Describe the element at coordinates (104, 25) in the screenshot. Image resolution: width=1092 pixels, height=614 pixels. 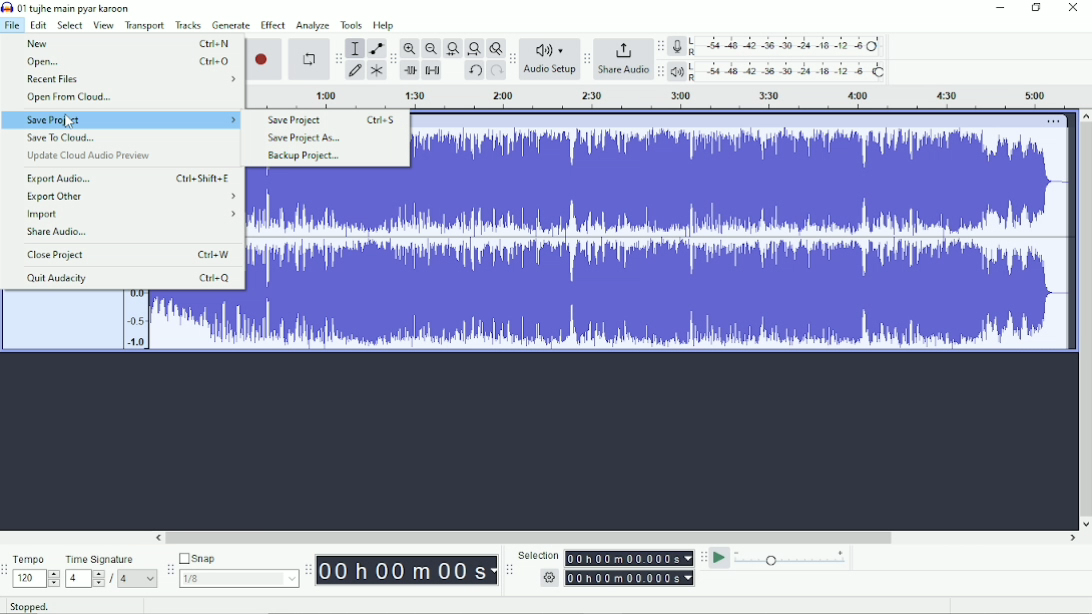
I see `View` at that location.